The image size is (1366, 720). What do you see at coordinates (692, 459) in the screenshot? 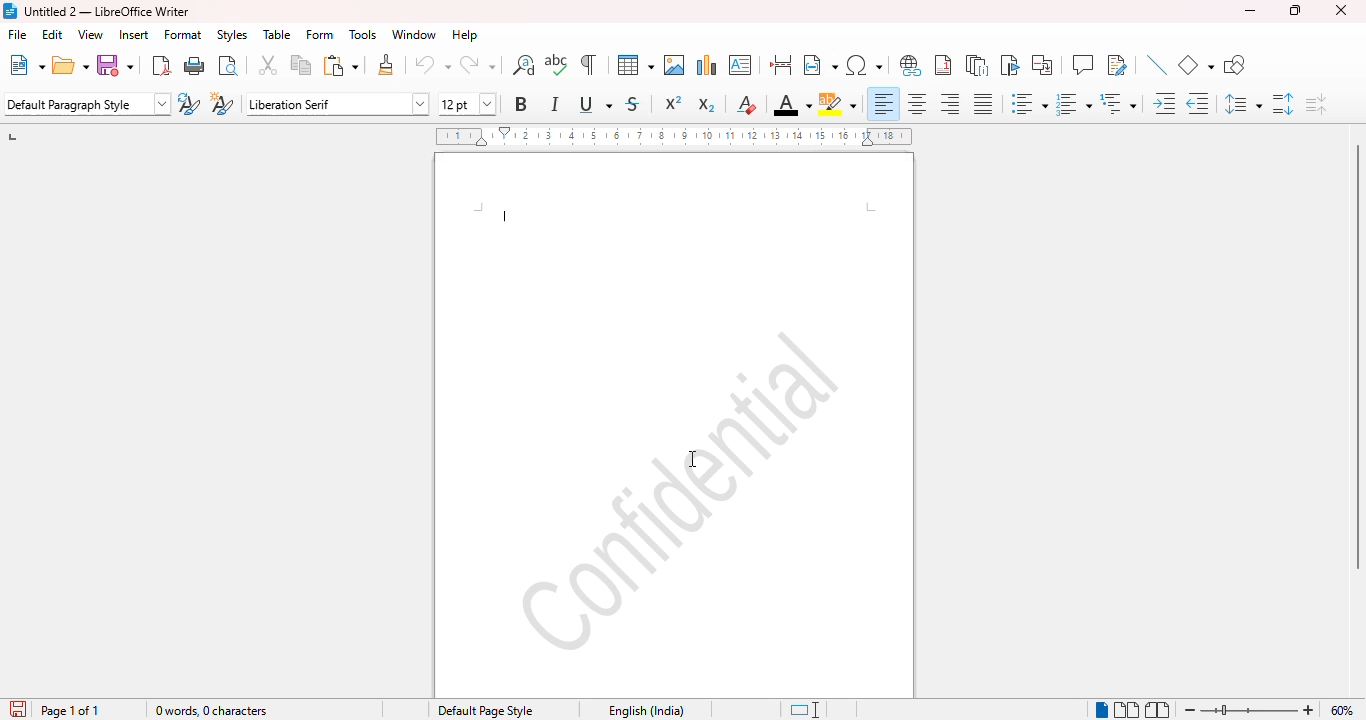
I see `cursor` at bounding box center [692, 459].